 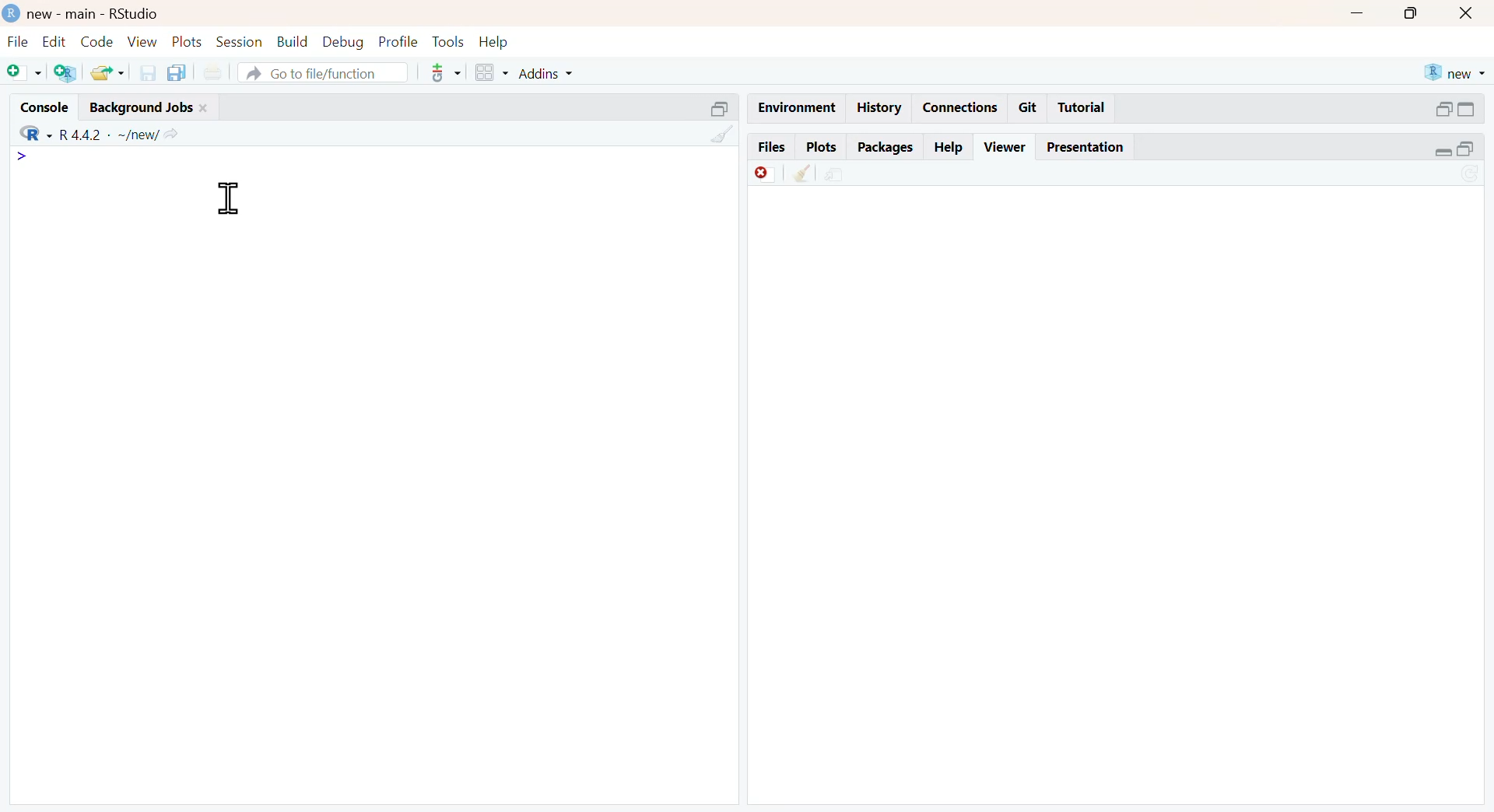 What do you see at coordinates (881, 108) in the screenshot?
I see `history` at bounding box center [881, 108].